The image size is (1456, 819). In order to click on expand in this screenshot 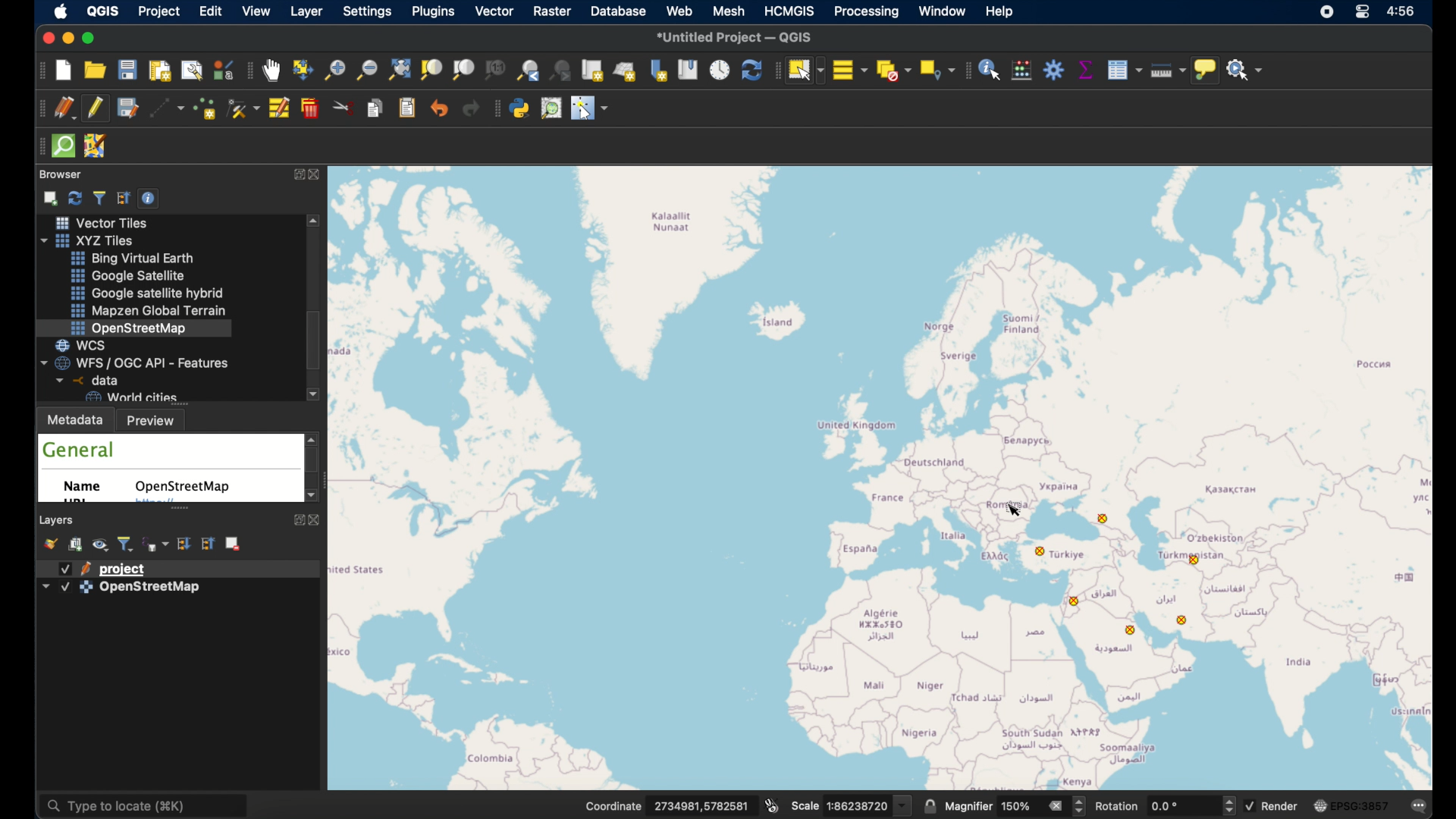, I will do `click(295, 174)`.